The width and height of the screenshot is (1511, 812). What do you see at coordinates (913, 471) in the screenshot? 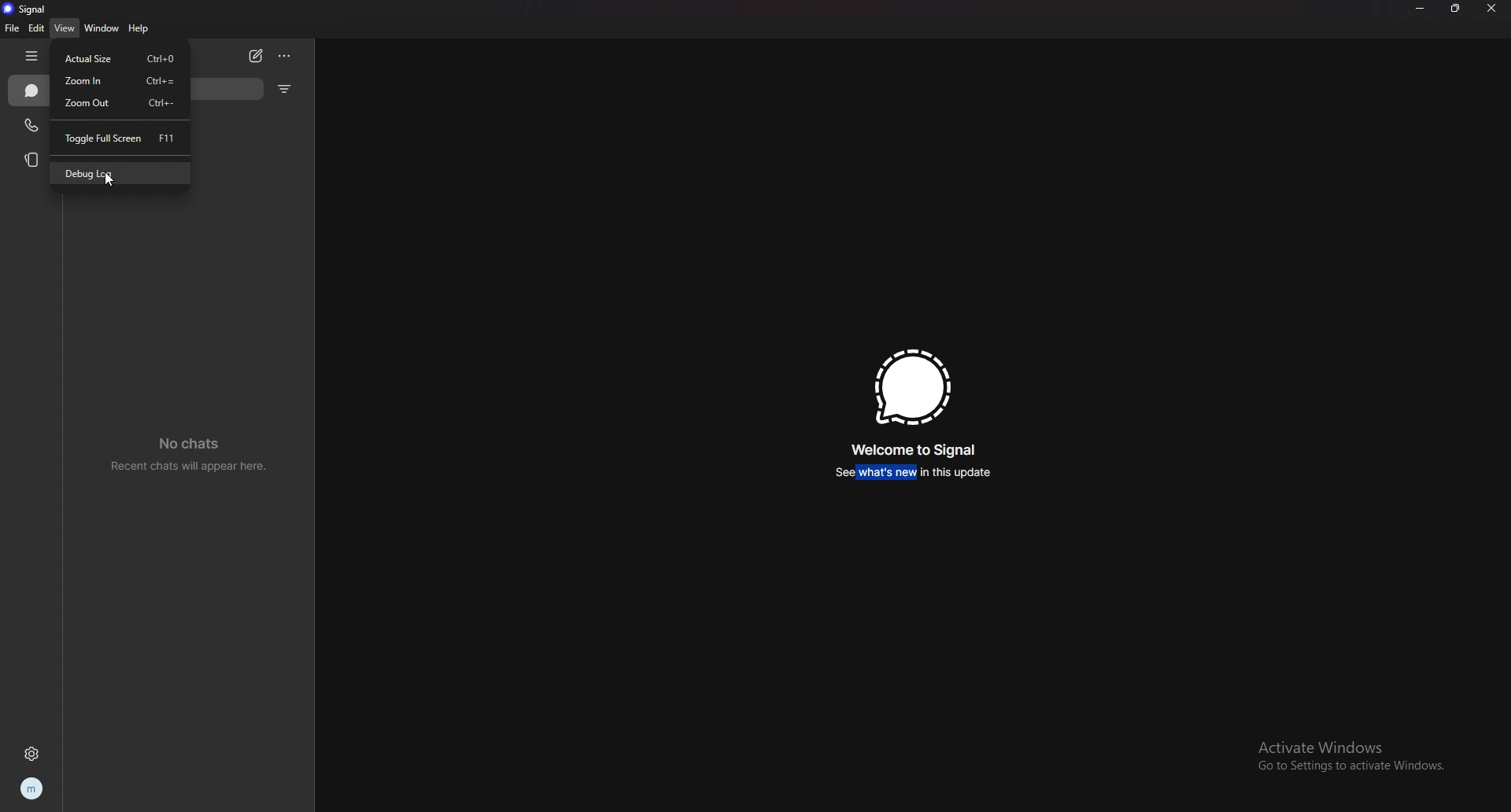
I see `see whats new in this update` at bounding box center [913, 471].